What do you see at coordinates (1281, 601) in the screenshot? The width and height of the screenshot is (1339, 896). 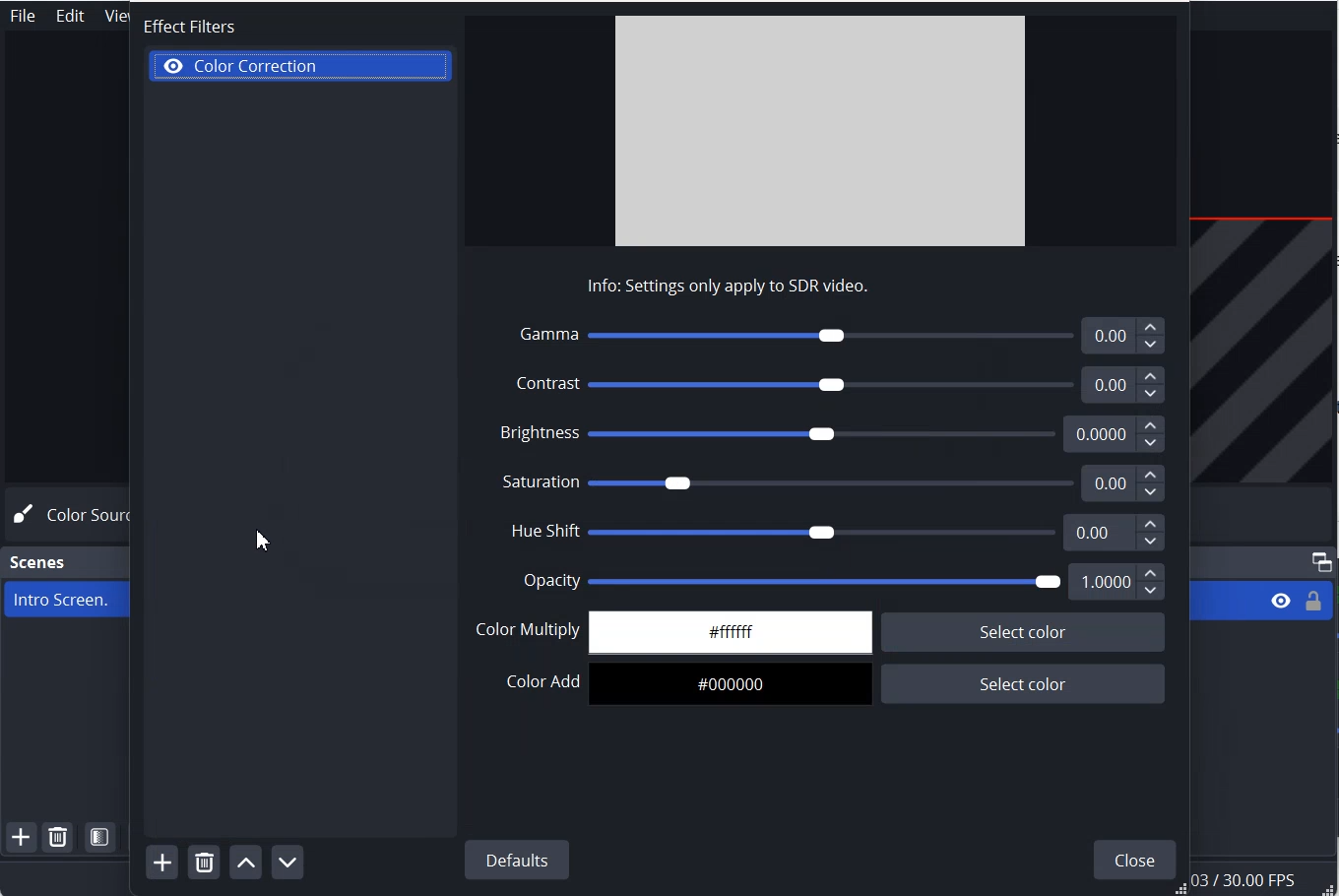 I see `Eye` at bounding box center [1281, 601].